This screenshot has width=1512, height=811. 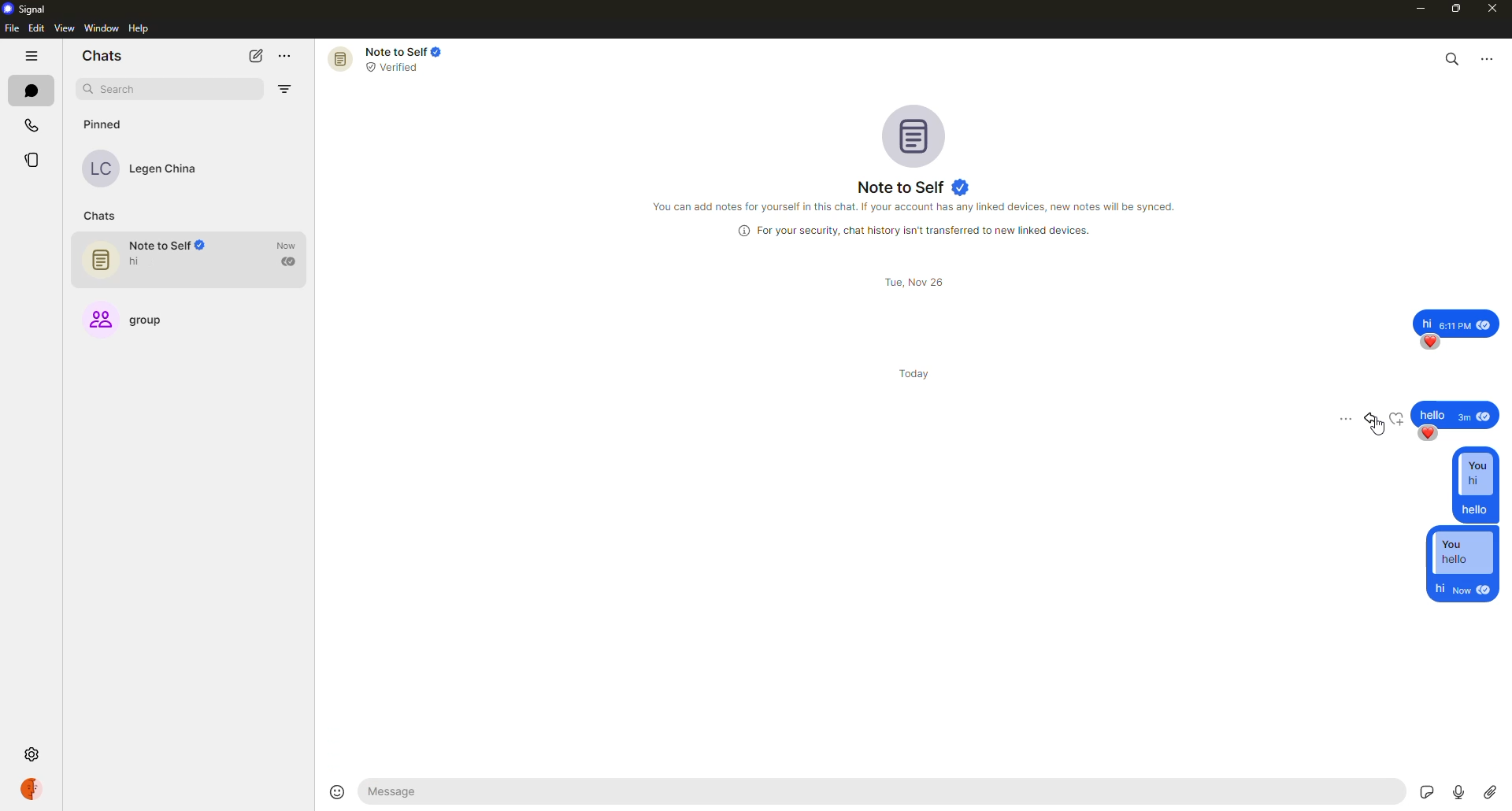 I want to click on search, so click(x=147, y=87).